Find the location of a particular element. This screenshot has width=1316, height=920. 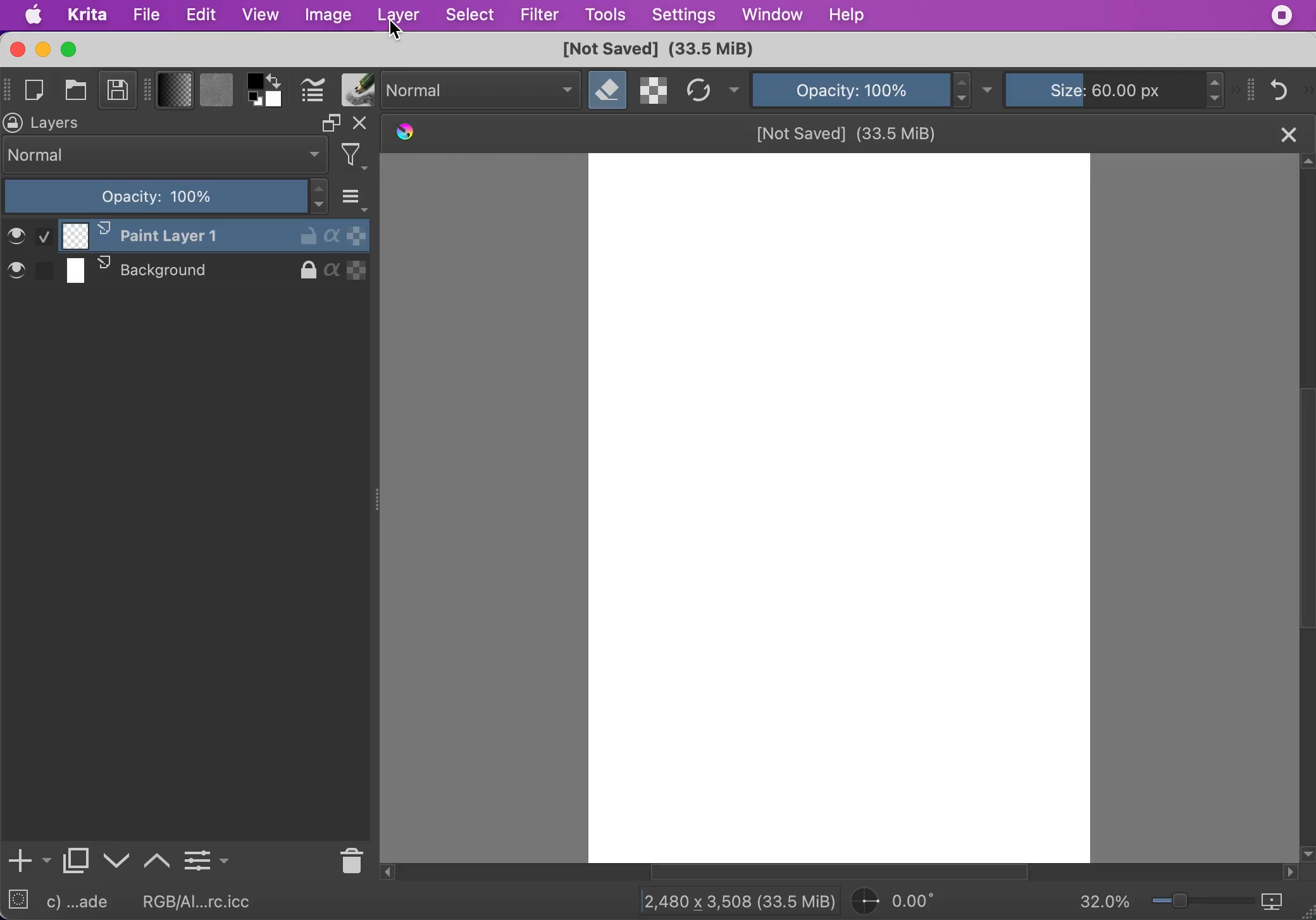

no selection is located at coordinates (18, 902).